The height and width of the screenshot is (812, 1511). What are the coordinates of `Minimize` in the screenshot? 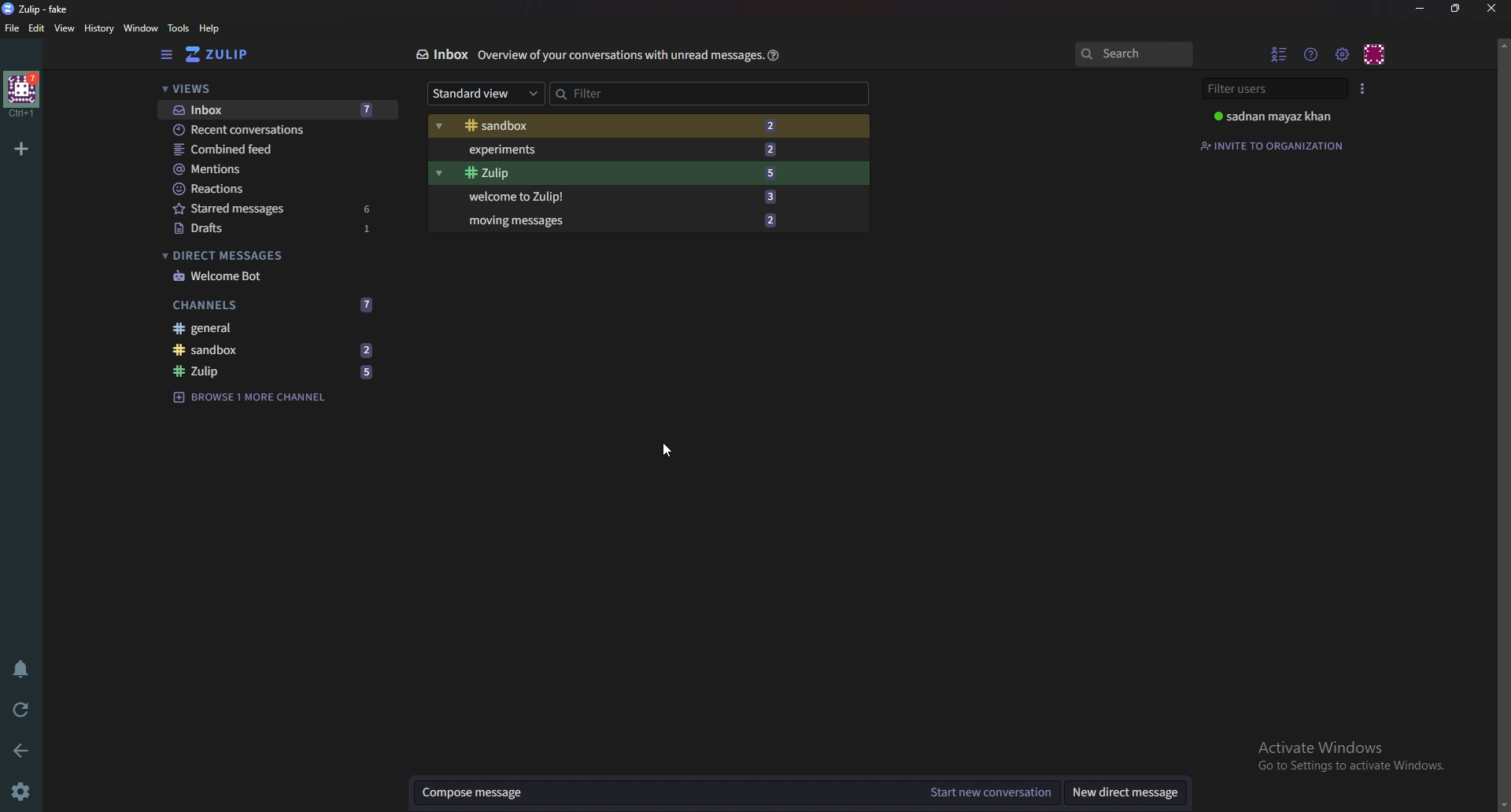 It's located at (1420, 8).